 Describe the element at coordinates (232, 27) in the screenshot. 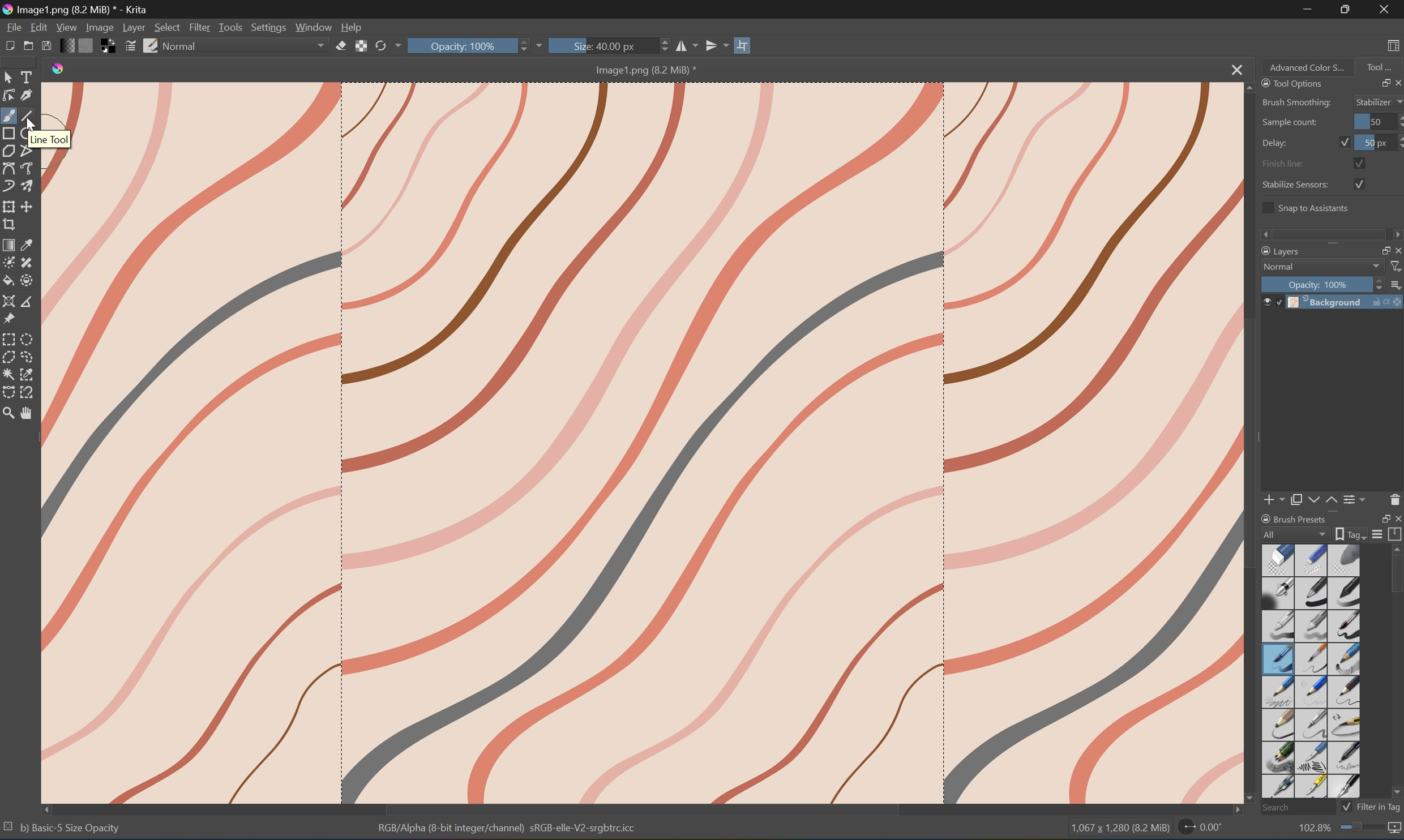

I see `Tools` at that location.